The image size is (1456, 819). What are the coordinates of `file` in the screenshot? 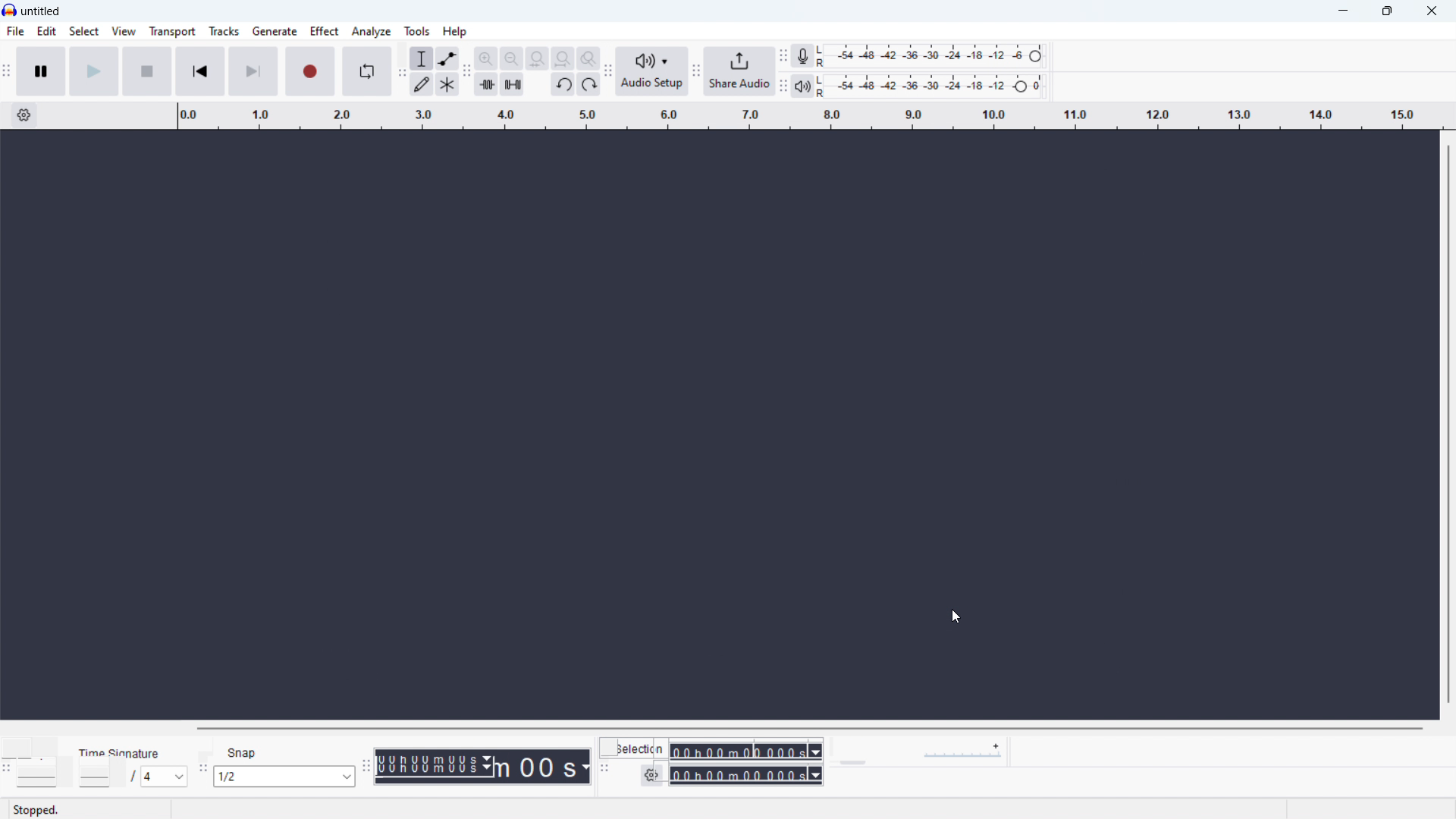 It's located at (16, 31).